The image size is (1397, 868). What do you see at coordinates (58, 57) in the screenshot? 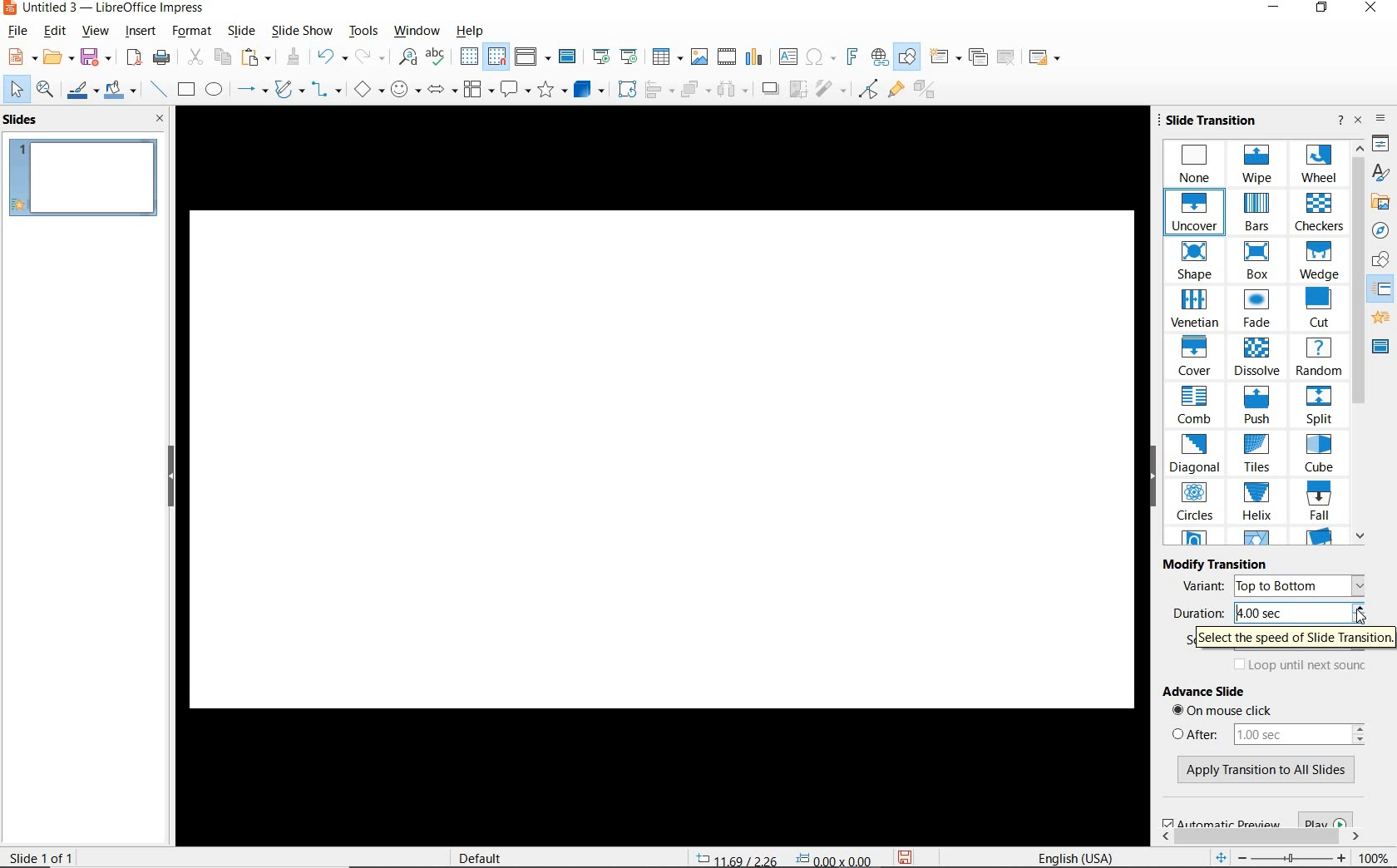
I see `OPEN` at bounding box center [58, 57].